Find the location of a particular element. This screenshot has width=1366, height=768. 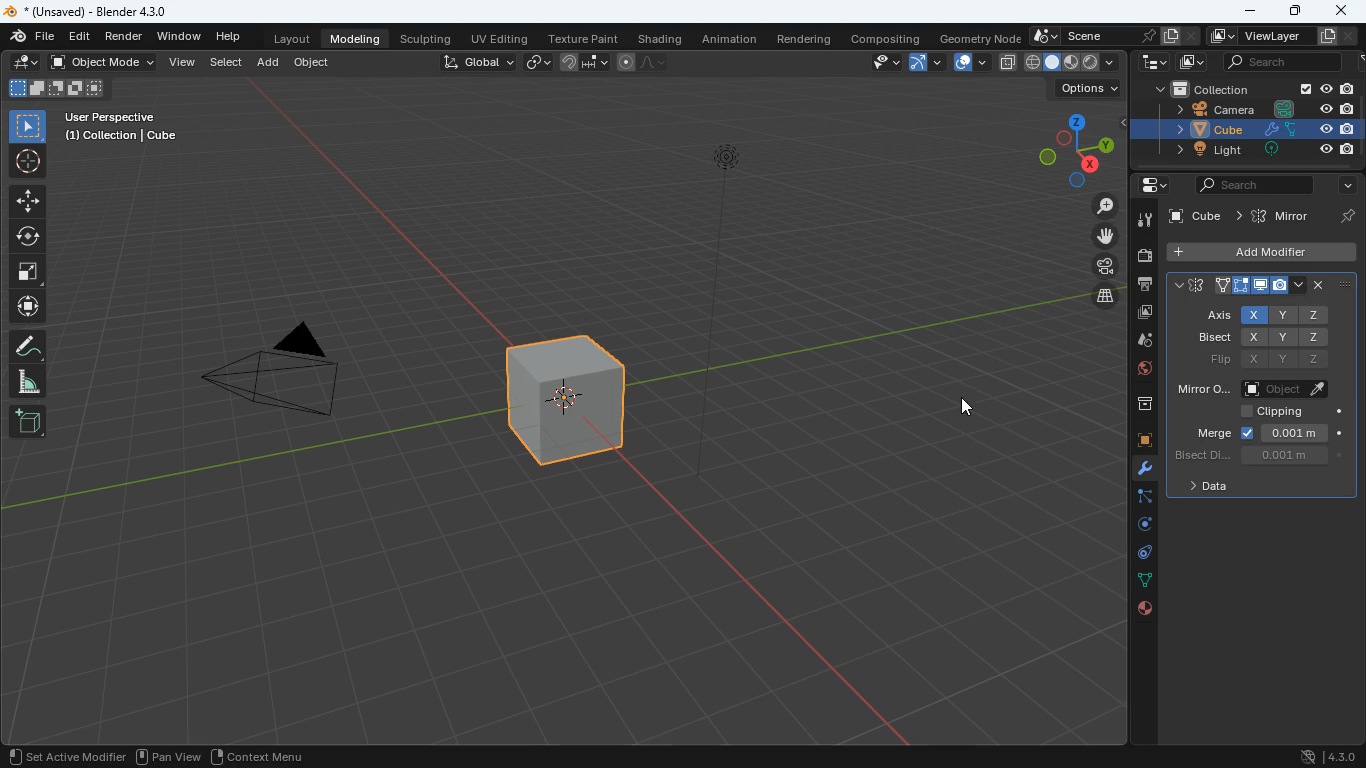

tech is located at coordinates (1151, 63).